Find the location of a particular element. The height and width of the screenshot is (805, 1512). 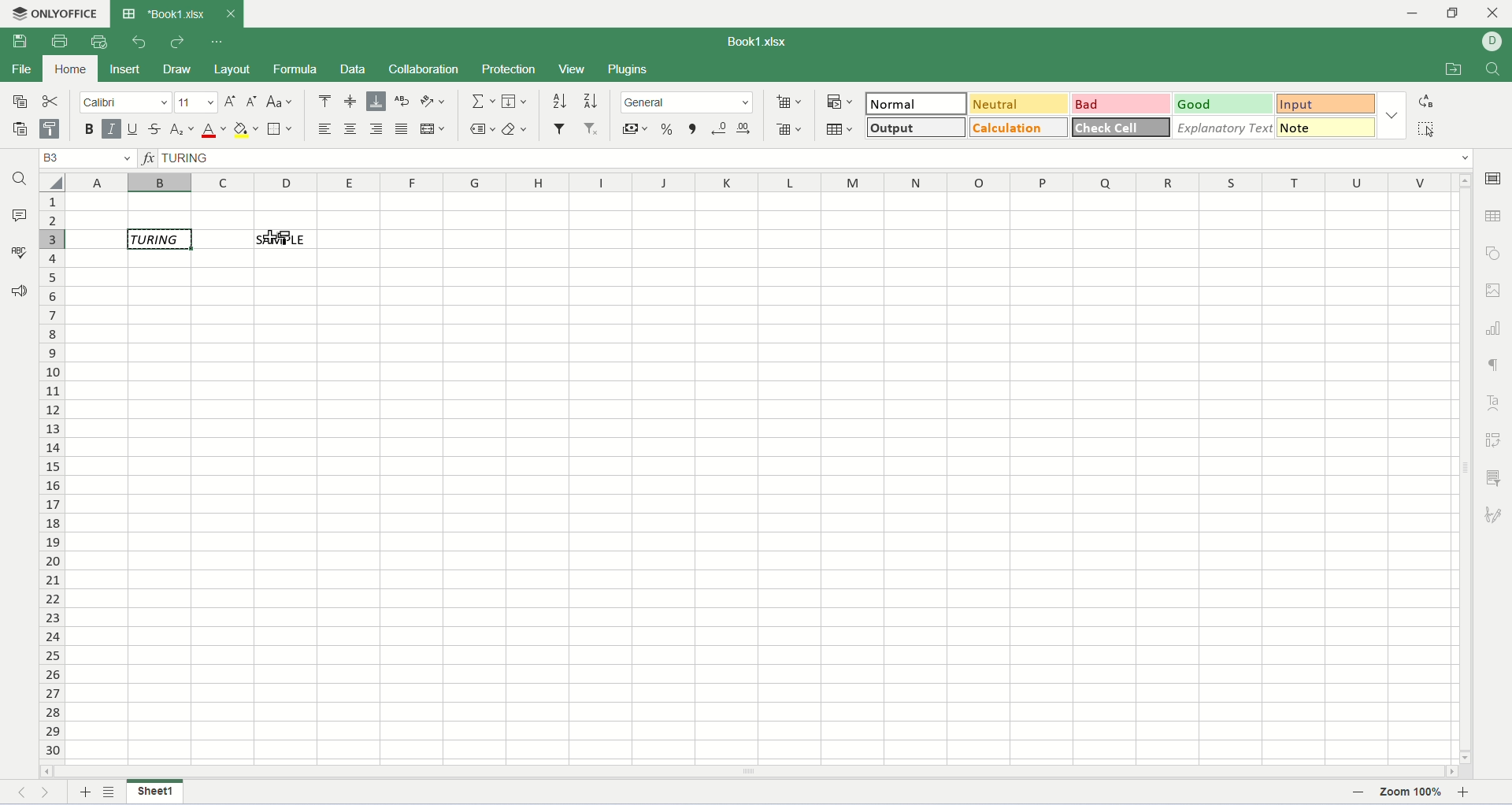

justified is located at coordinates (402, 128).